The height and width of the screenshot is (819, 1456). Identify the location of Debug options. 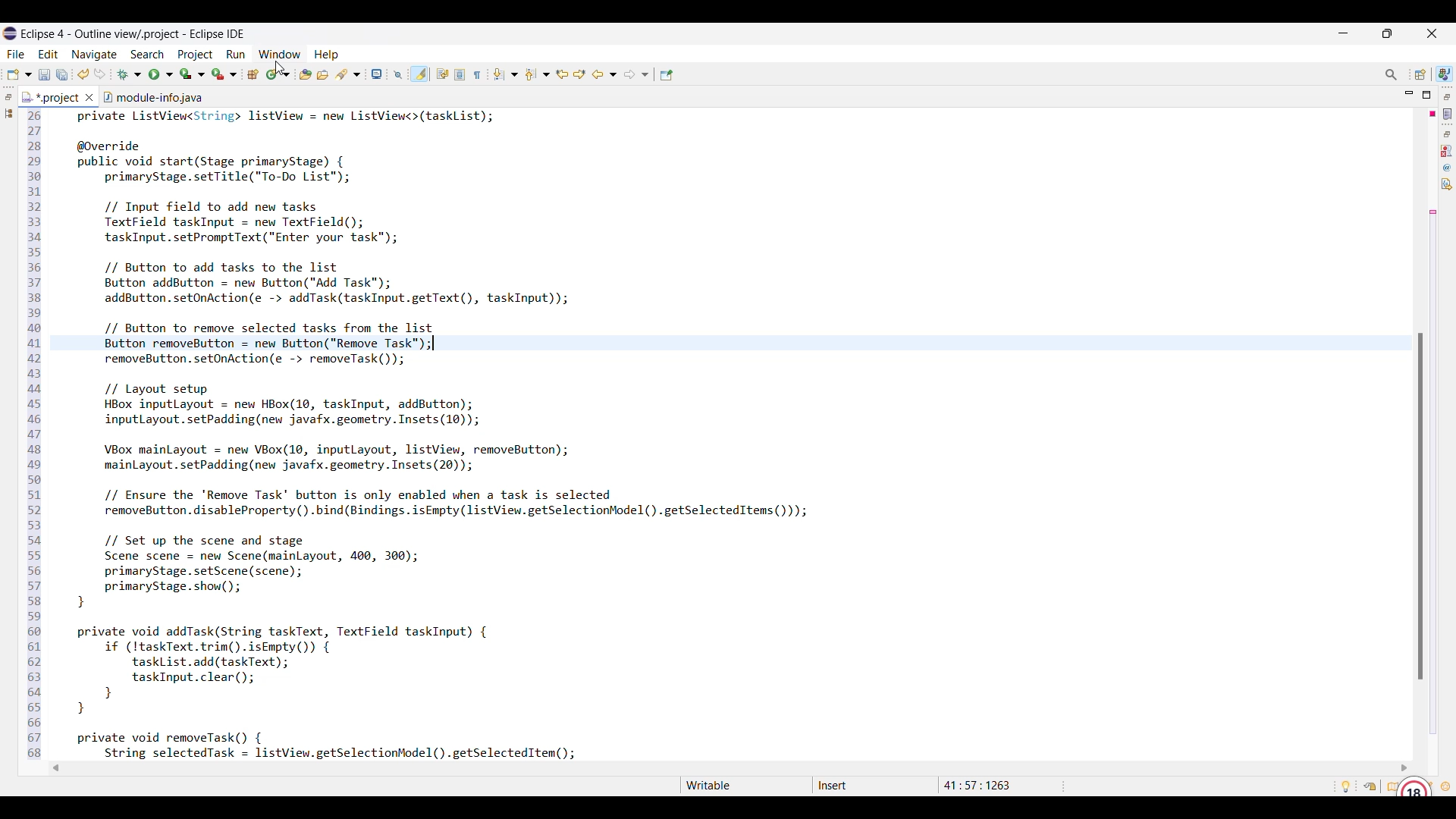
(129, 75).